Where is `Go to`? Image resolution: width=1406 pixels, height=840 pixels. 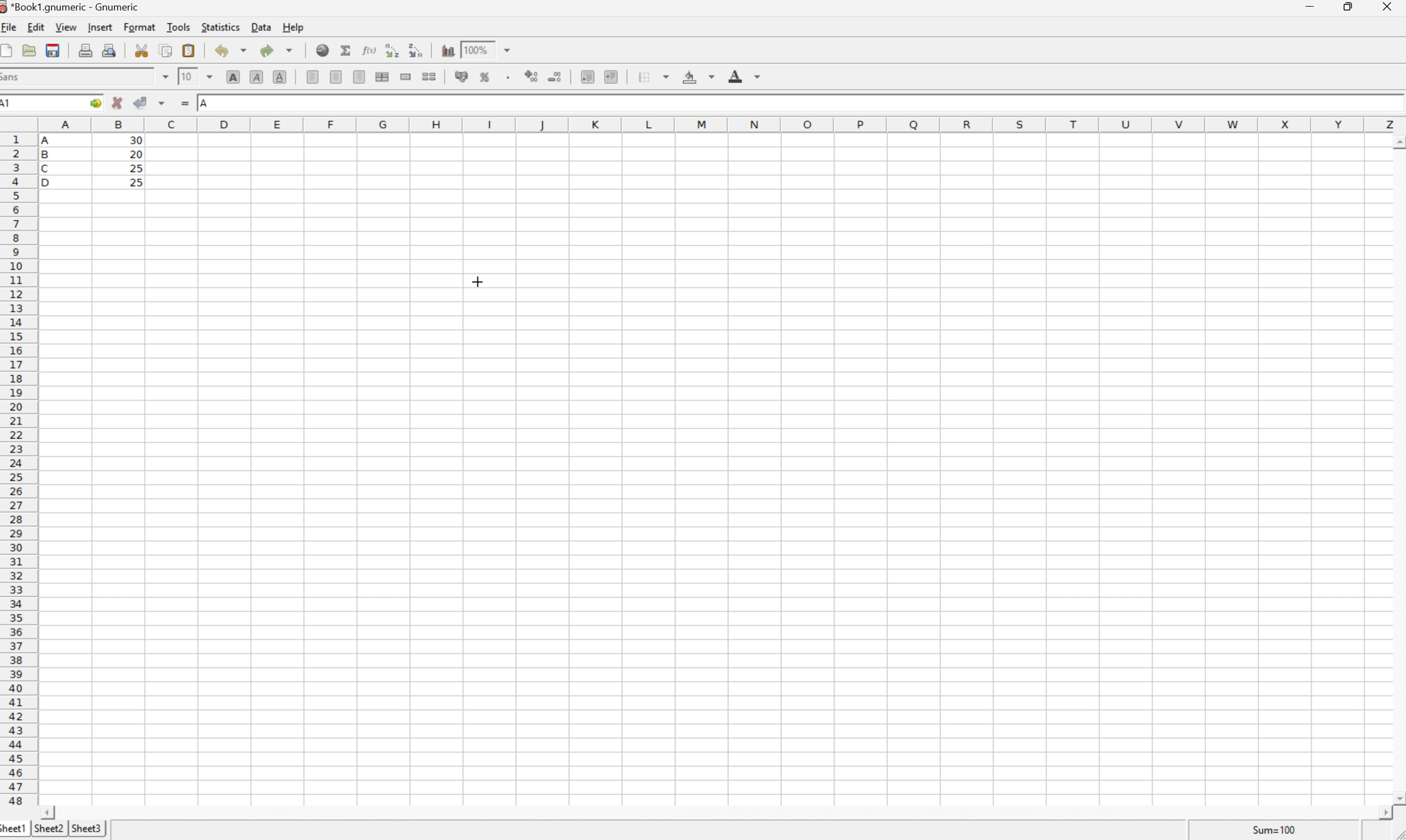 Go to is located at coordinates (95, 101).